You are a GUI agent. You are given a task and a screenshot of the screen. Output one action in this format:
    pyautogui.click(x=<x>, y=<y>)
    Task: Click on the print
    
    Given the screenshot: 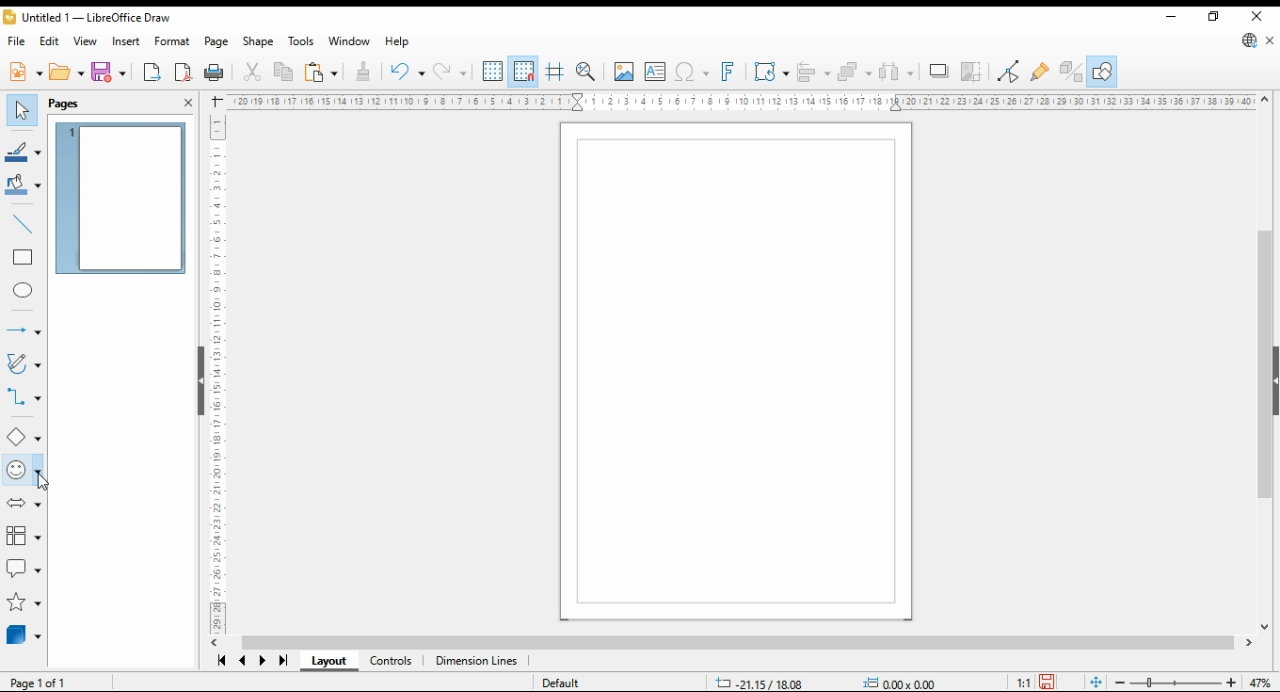 What is the action you would take?
    pyautogui.click(x=215, y=72)
    